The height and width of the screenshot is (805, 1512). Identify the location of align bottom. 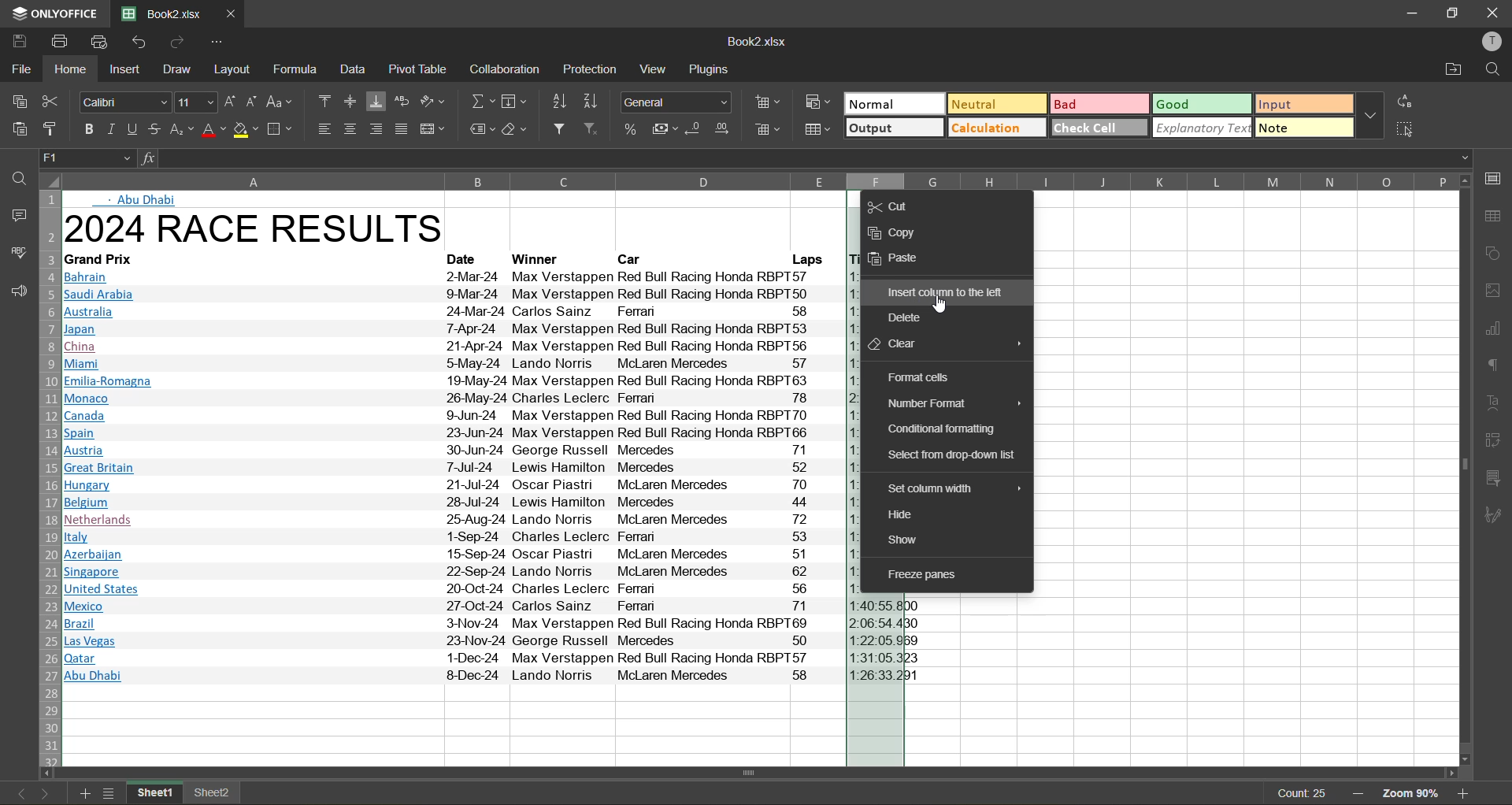
(375, 102).